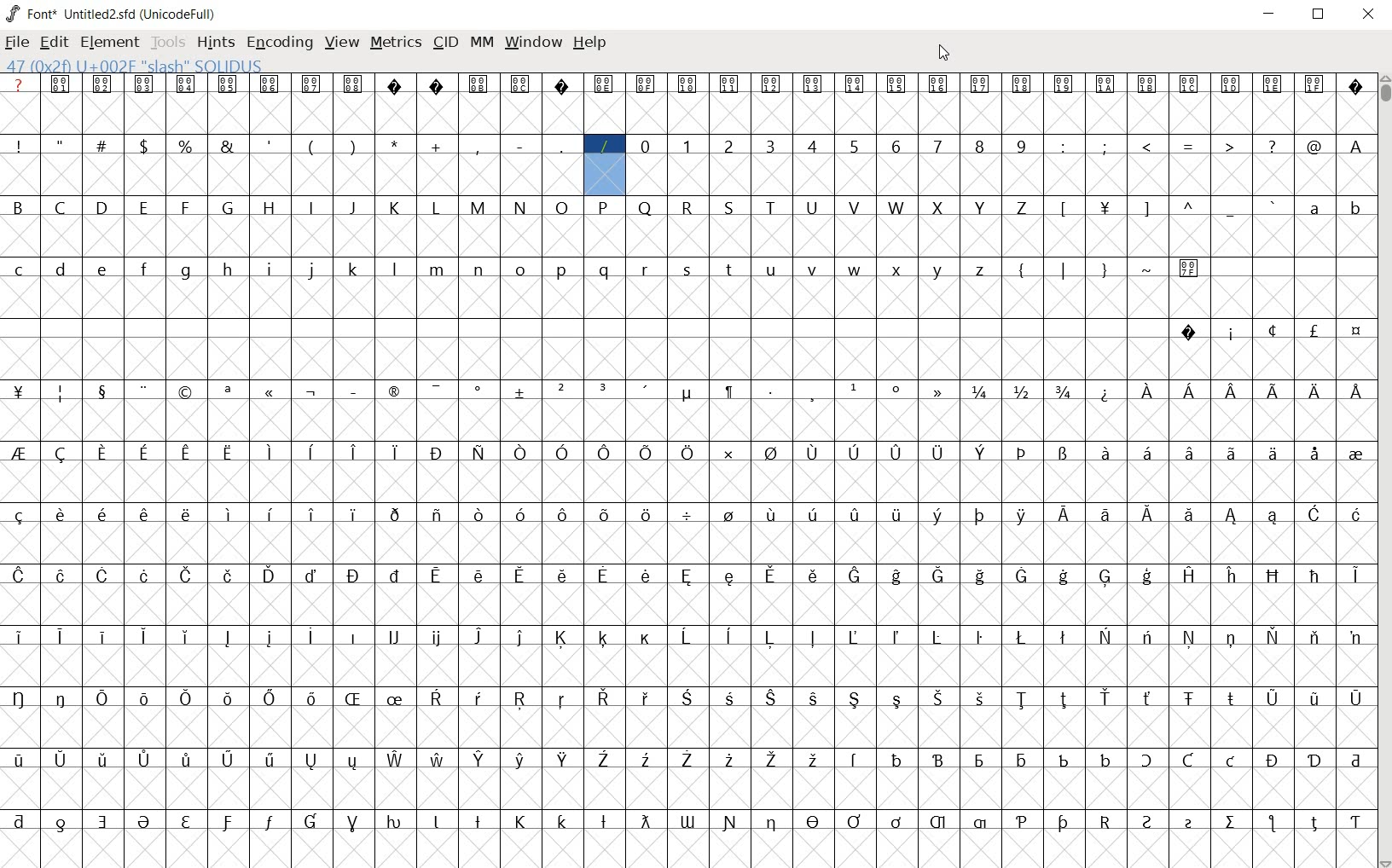 The image size is (1392, 868). I want to click on glyph, so click(1147, 146).